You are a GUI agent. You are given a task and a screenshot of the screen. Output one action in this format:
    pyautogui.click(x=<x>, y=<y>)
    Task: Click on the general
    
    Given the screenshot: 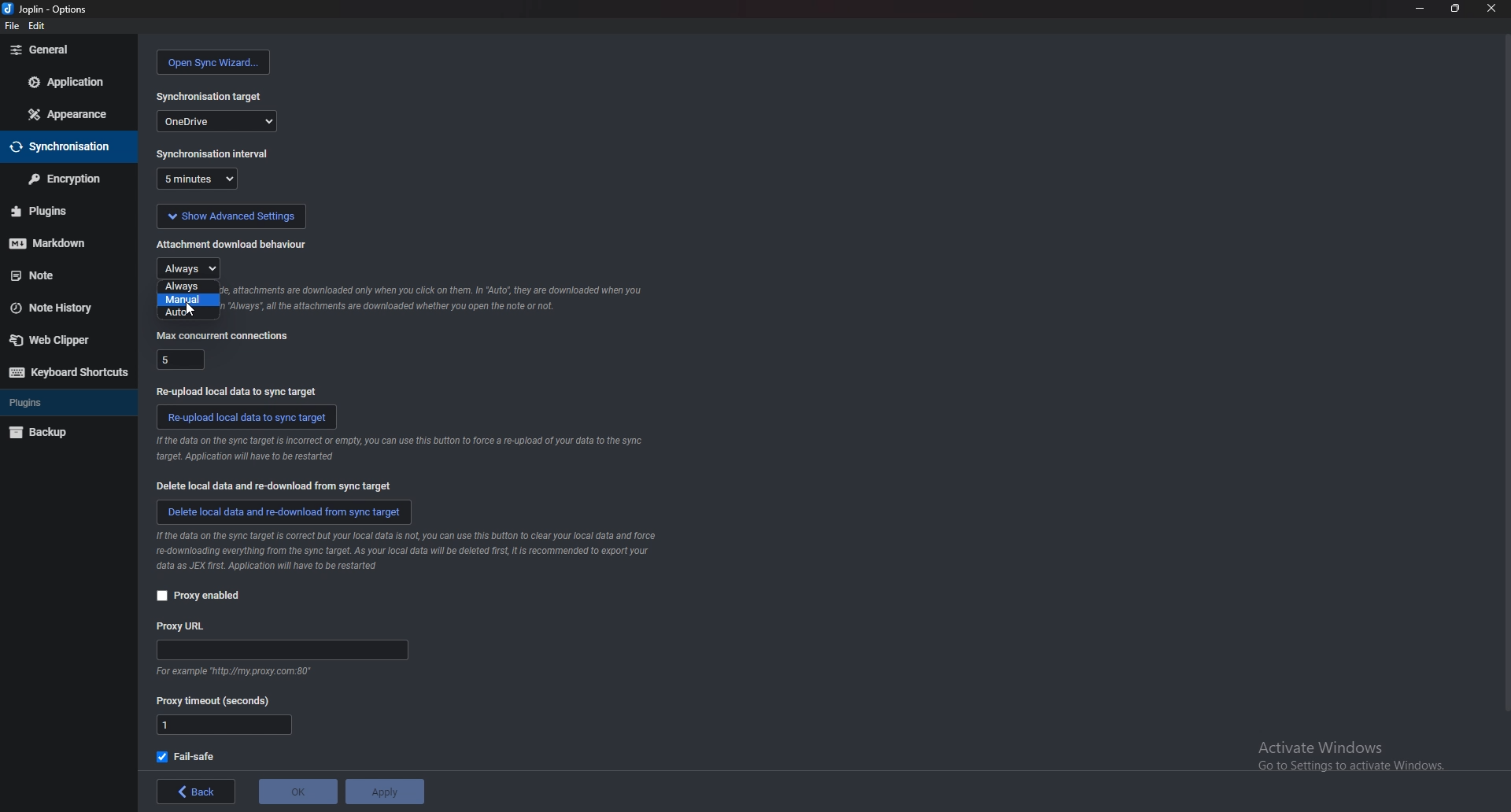 What is the action you would take?
    pyautogui.click(x=67, y=51)
    